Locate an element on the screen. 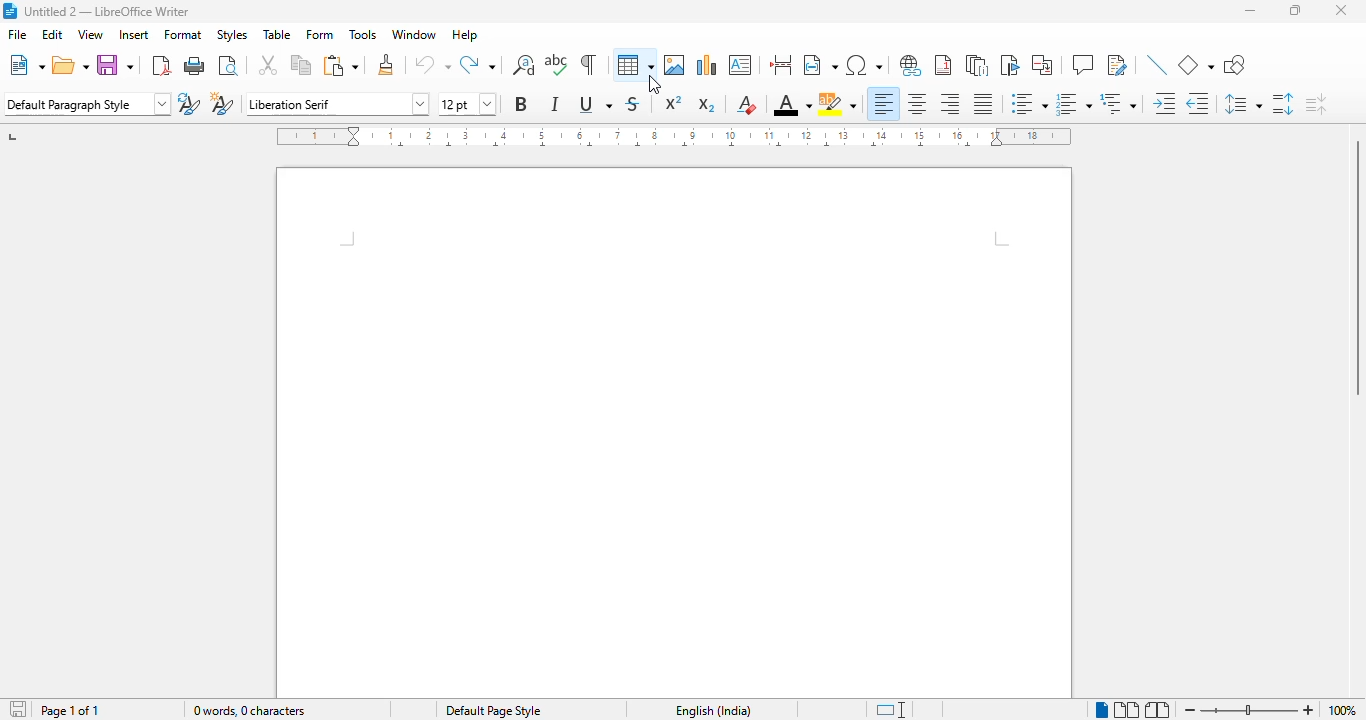  open is located at coordinates (71, 64).